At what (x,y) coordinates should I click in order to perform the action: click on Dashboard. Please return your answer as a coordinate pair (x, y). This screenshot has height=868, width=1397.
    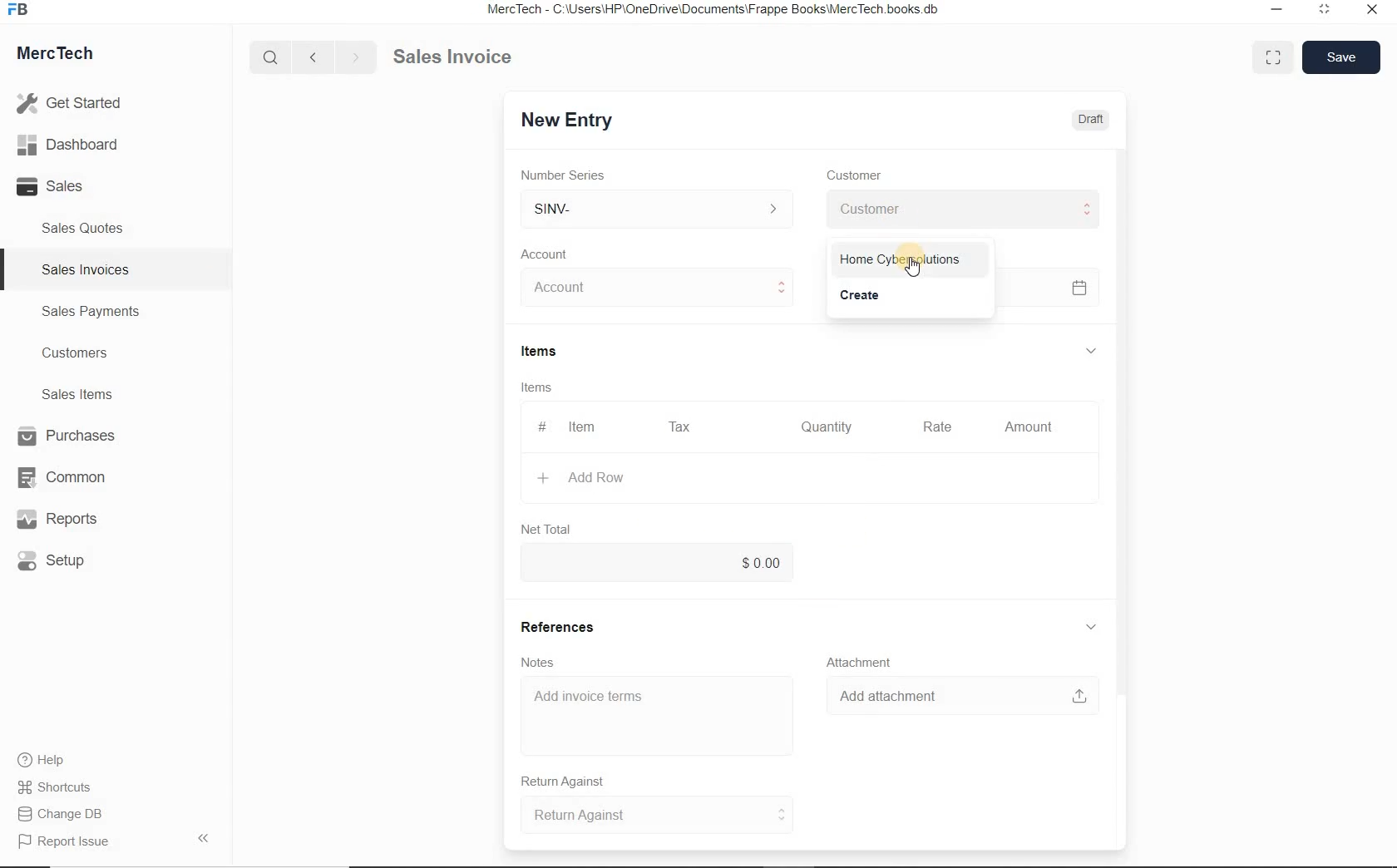
    Looking at the image, I should click on (76, 145).